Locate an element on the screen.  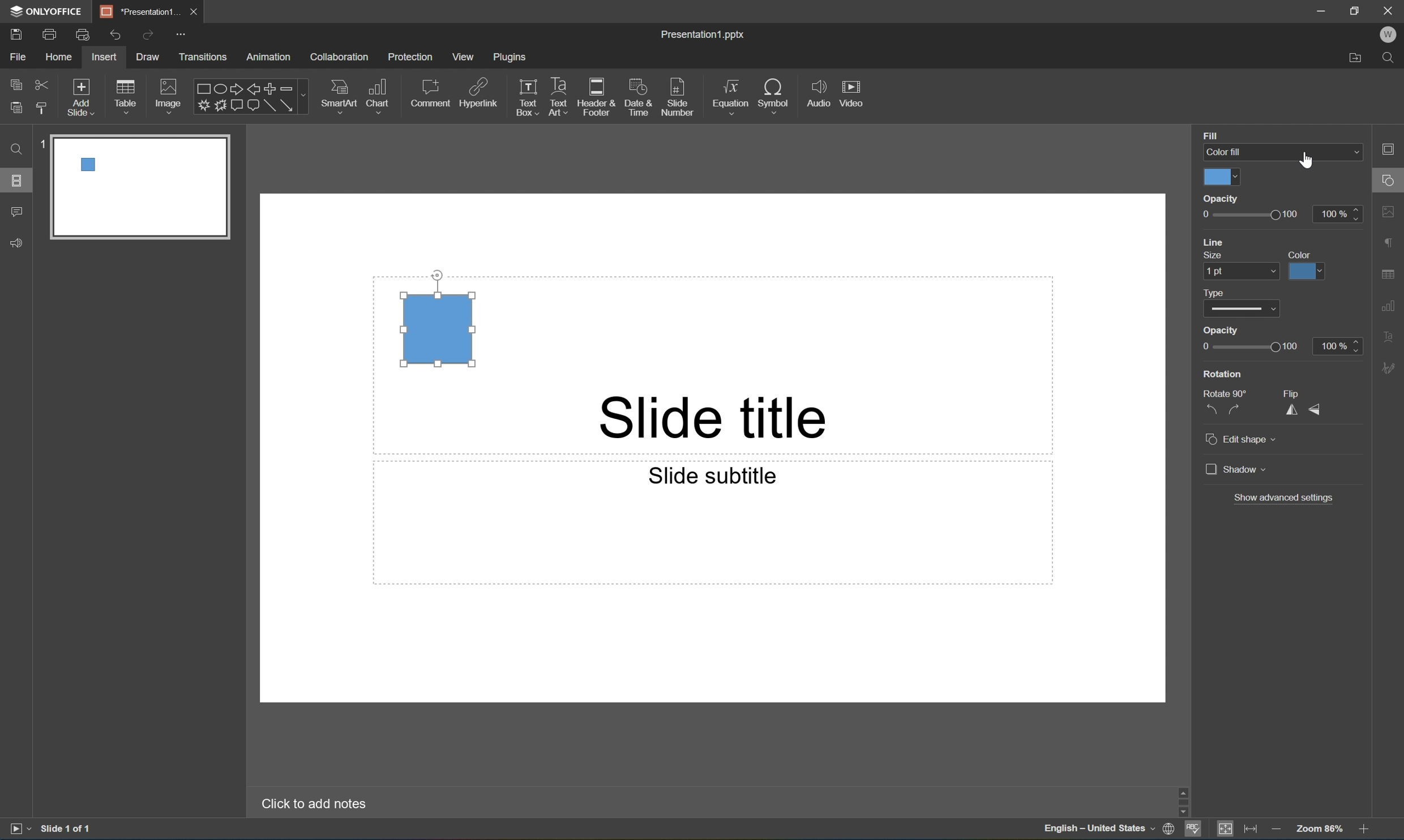
Home is located at coordinates (60, 57).